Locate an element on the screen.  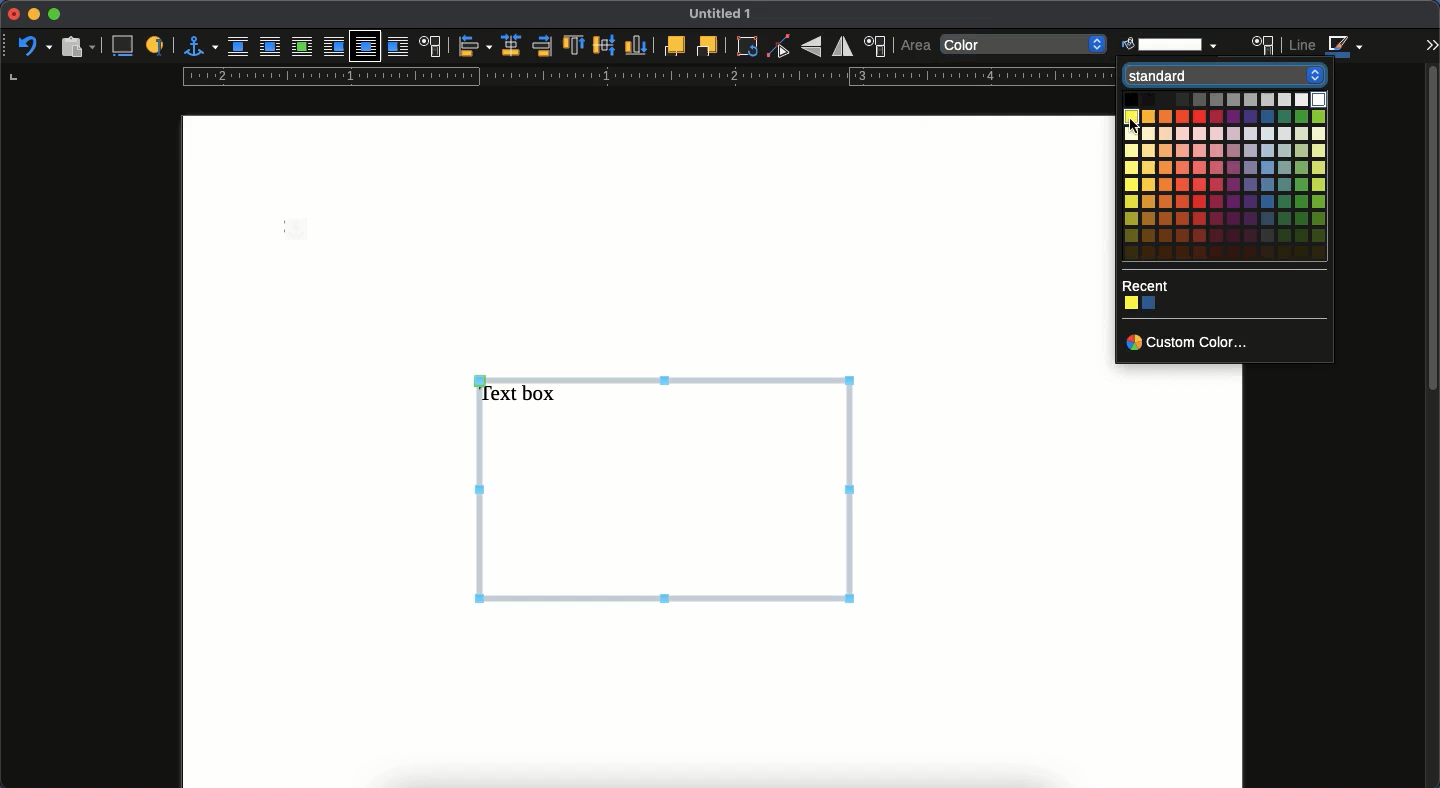
none is located at coordinates (240, 47).